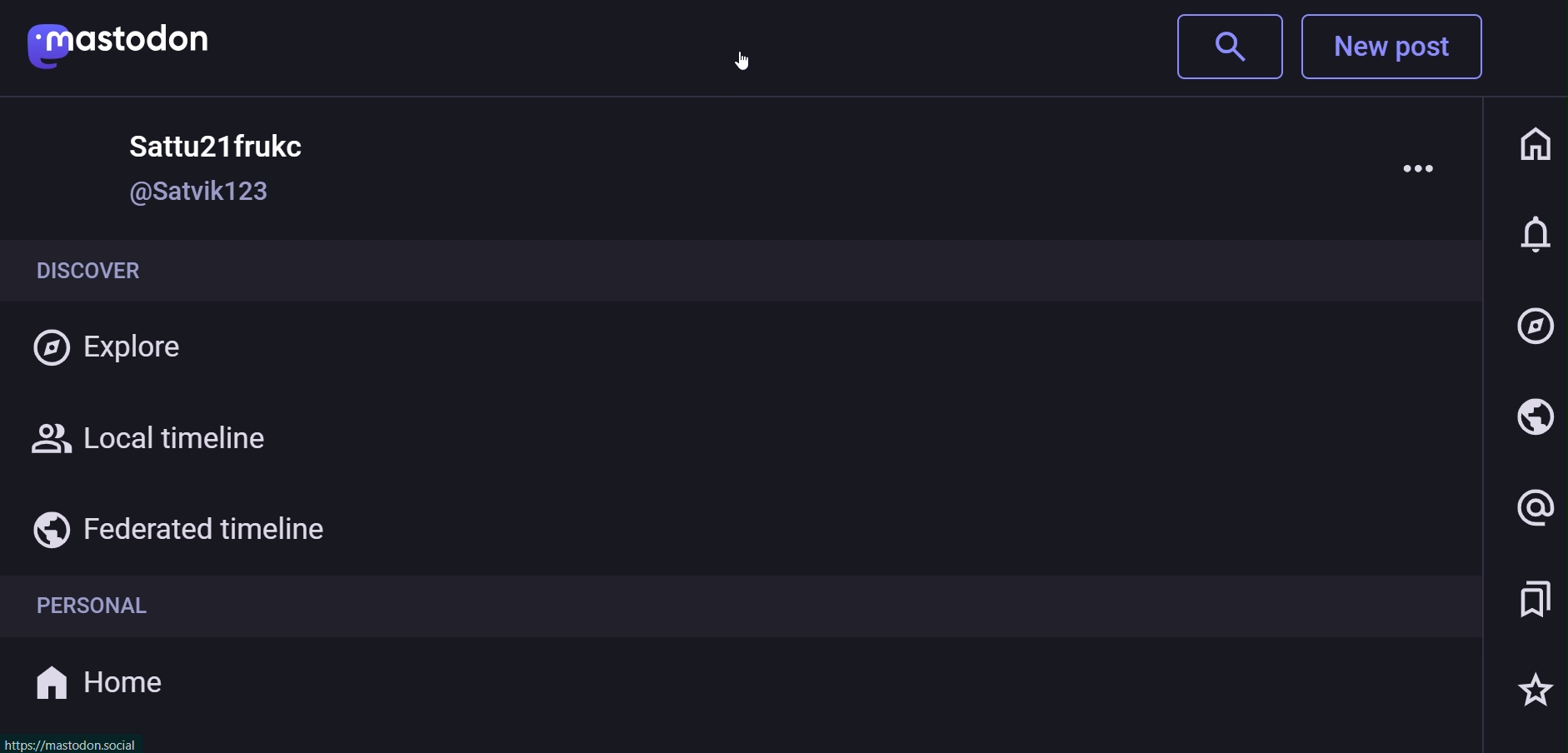  Describe the element at coordinates (156, 441) in the screenshot. I see `local timeline` at that location.